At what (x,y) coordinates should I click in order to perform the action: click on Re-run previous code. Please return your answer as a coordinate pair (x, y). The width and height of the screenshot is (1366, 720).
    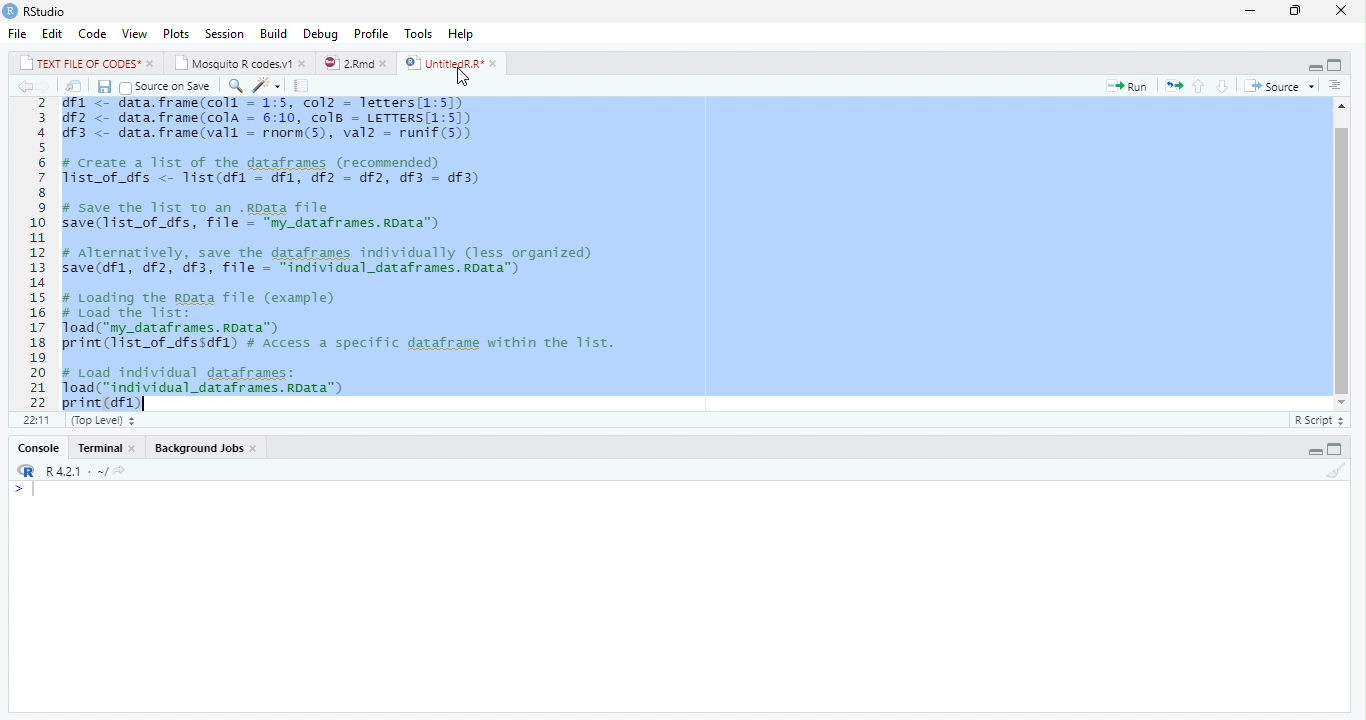
    Looking at the image, I should click on (1173, 85).